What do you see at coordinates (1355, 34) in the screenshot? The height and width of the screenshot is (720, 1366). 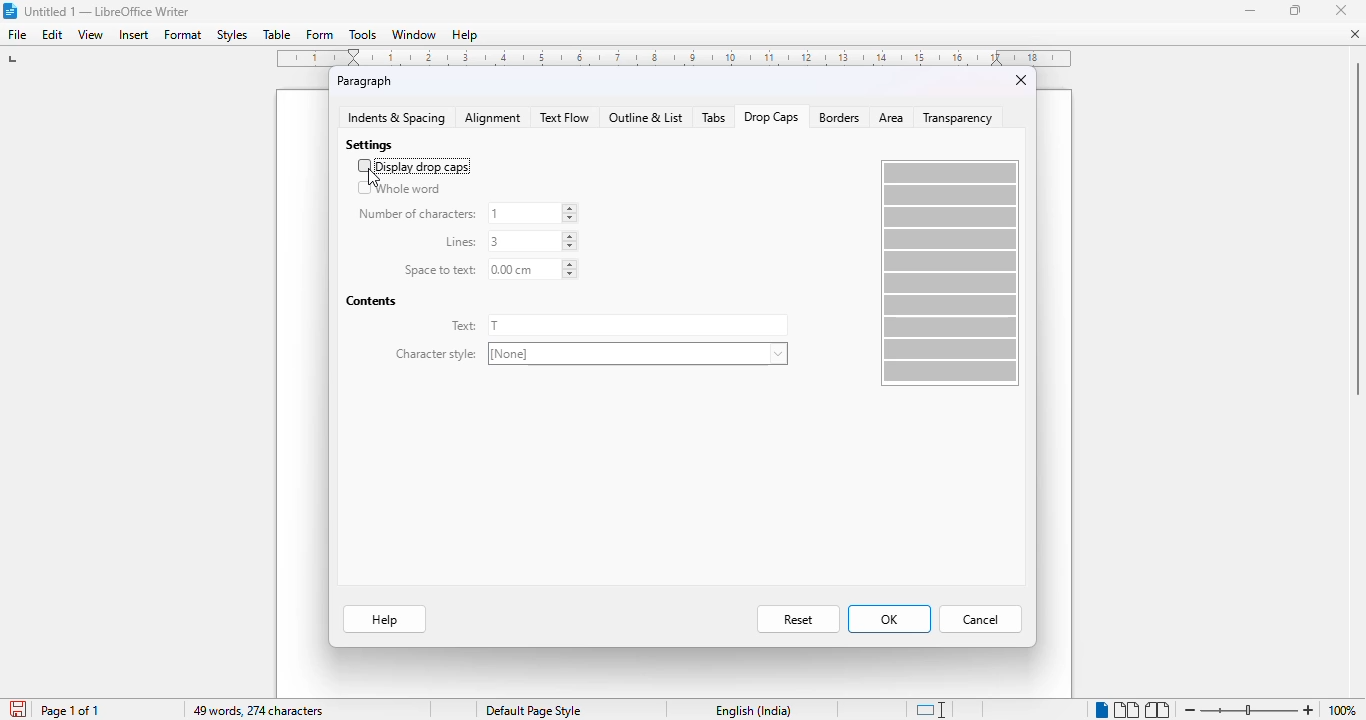 I see `close document` at bounding box center [1355, 34].